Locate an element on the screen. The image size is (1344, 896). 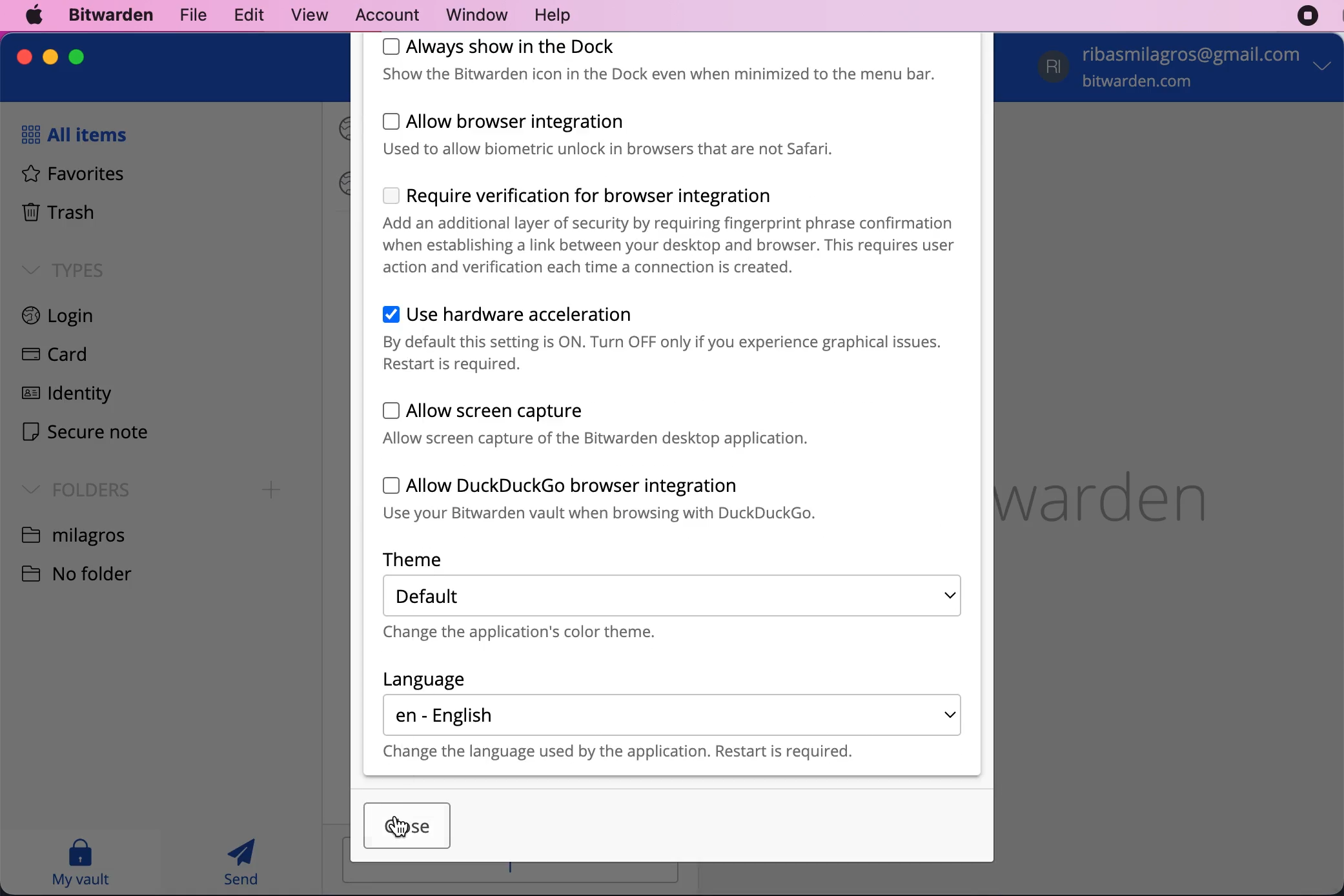
all items is located at coordinates (70, 134).